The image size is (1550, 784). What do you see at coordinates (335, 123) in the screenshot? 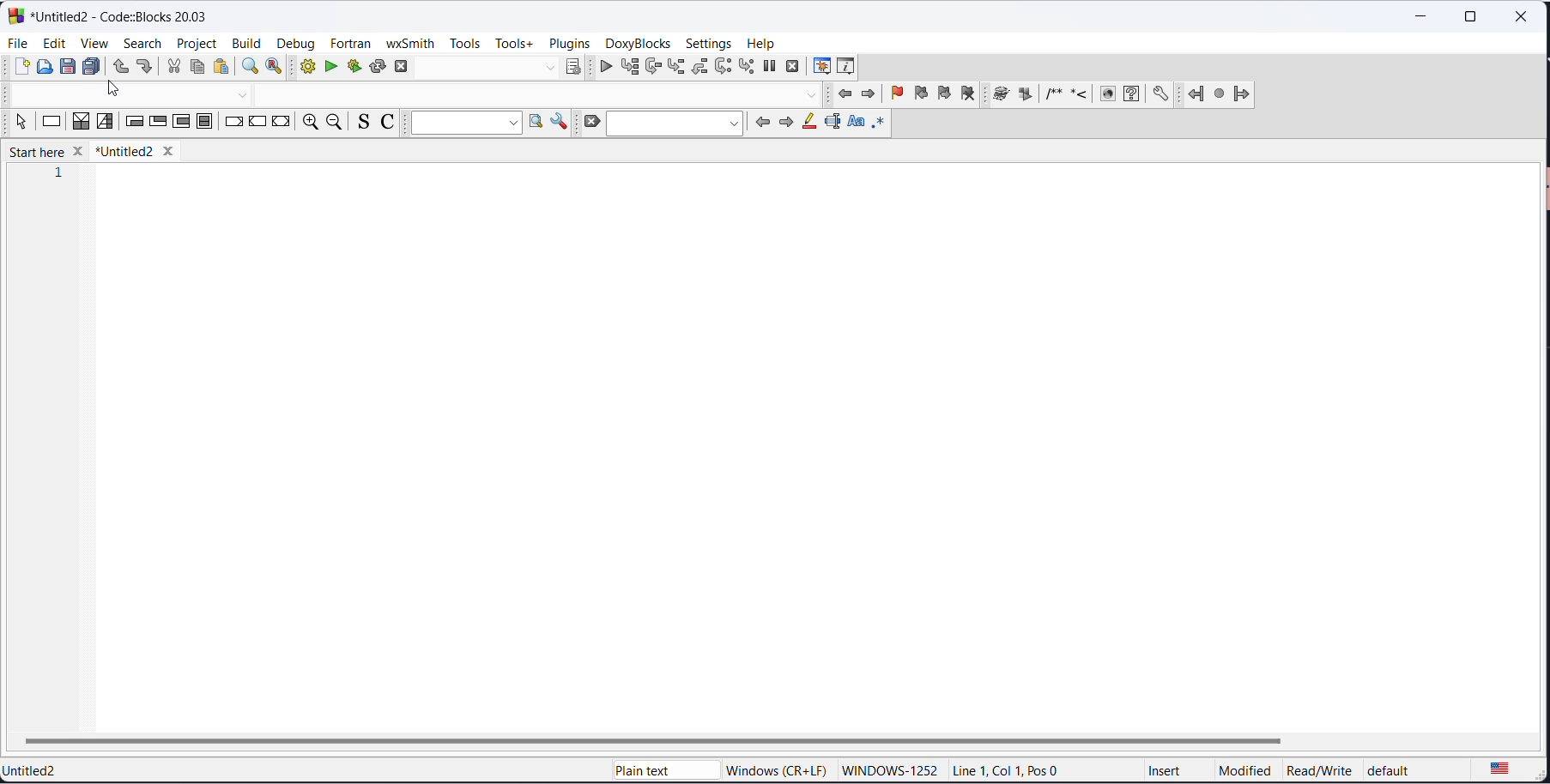
I see `zoom out` at bounding box center [335, 123].